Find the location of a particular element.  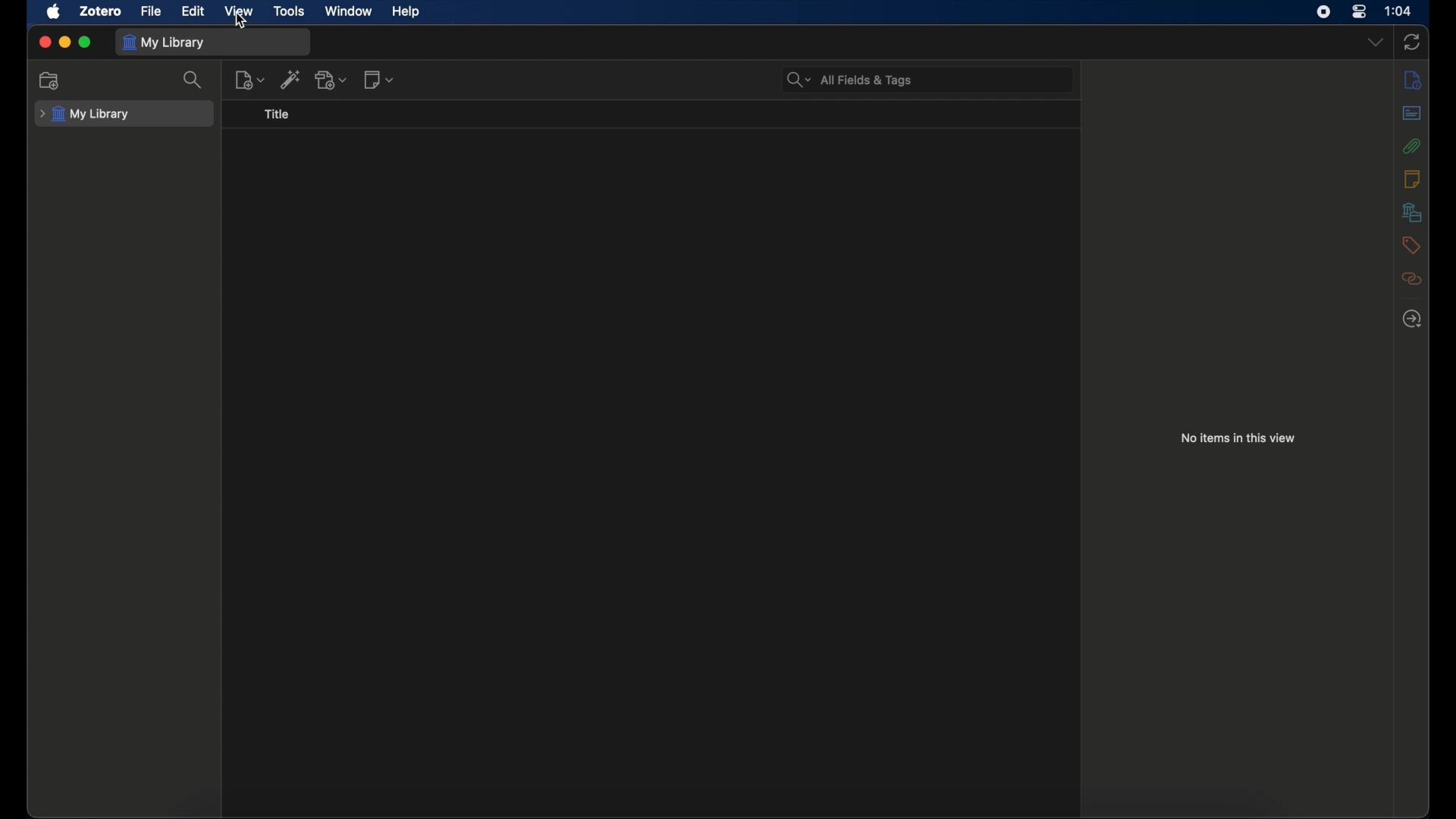

tools is located at coordinates (290, 11).